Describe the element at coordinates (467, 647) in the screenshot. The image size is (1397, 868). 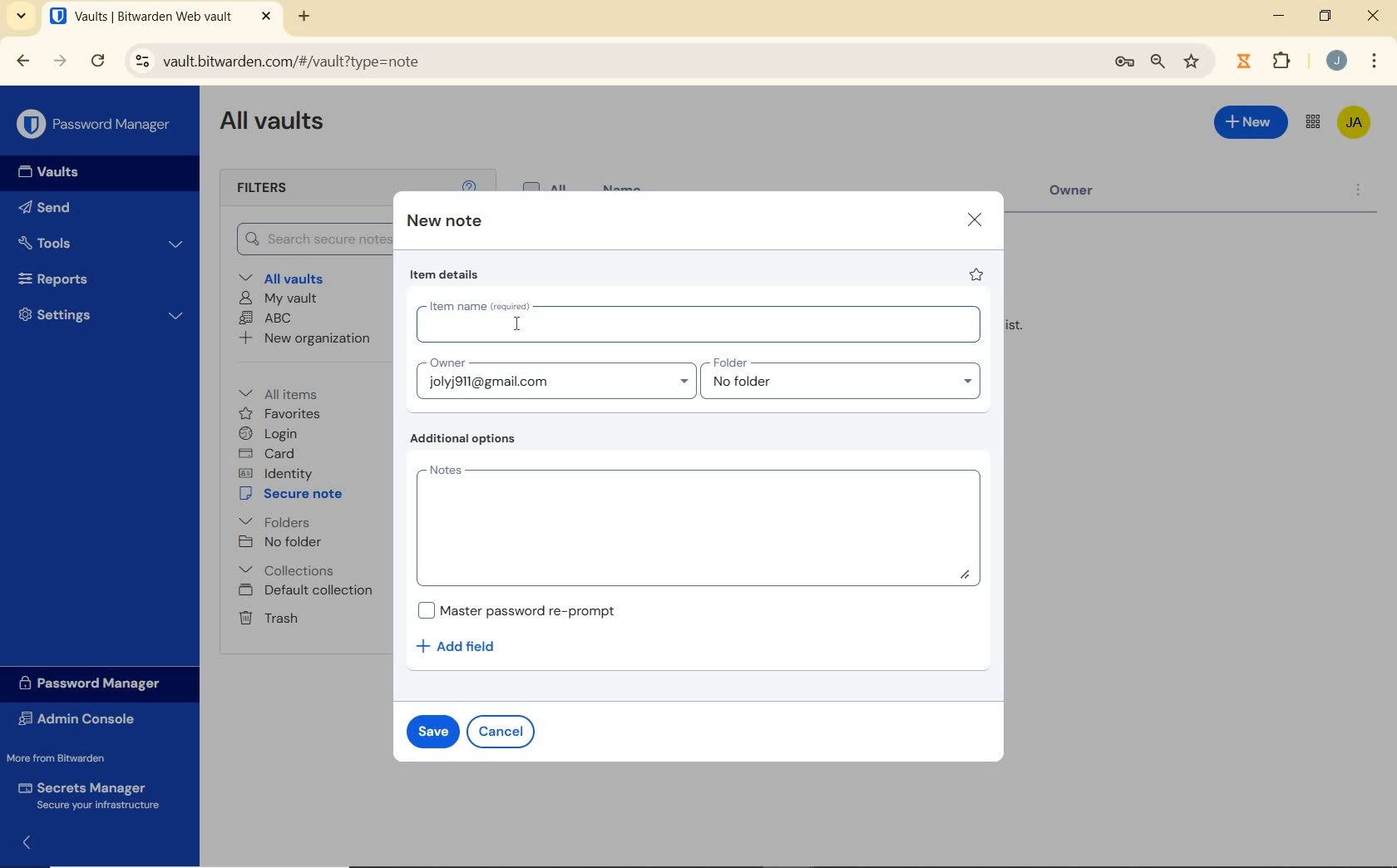
I see `add field` at that location.